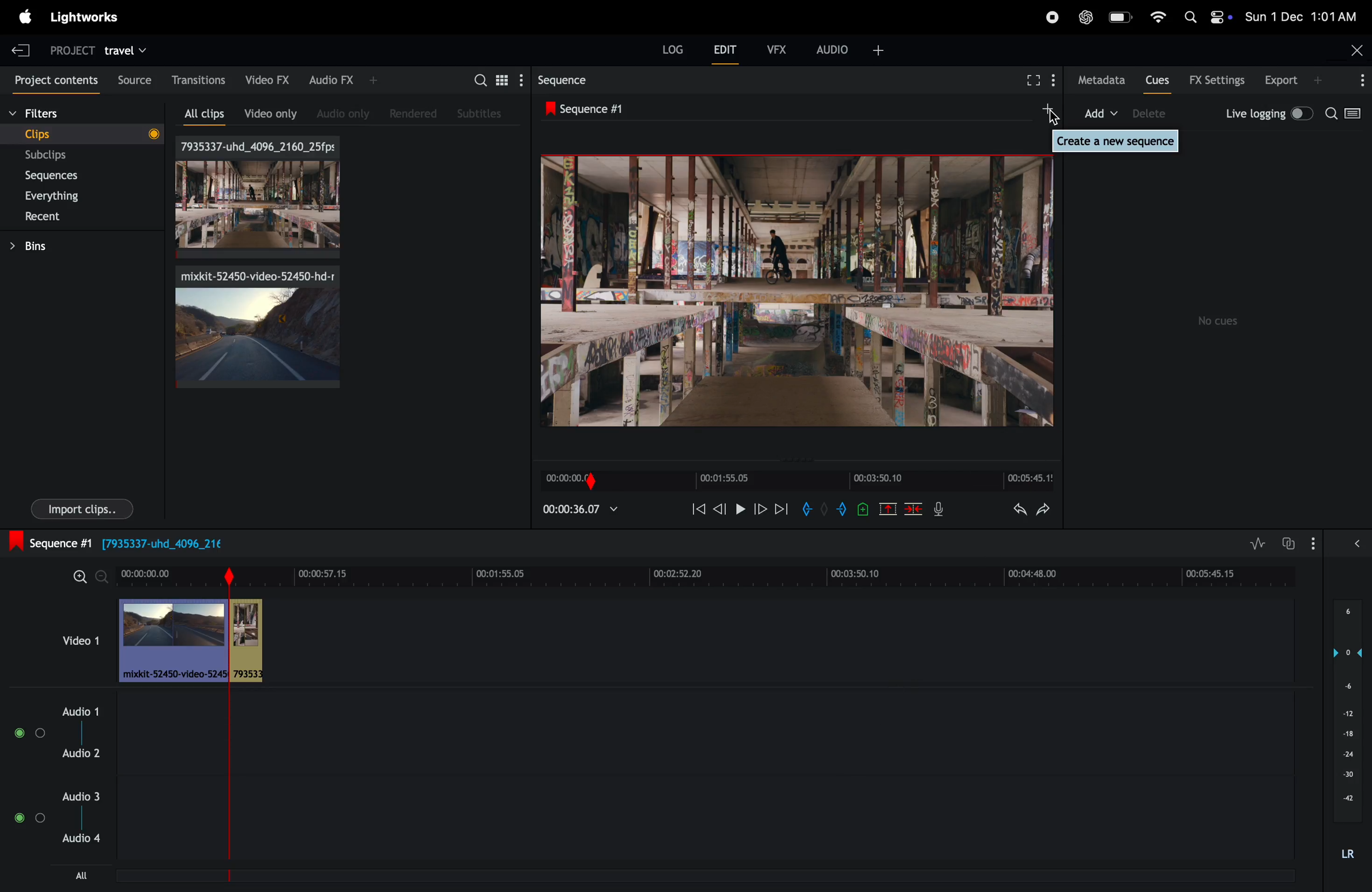  What do you see at coordinates (583, 510) in the screenshot?
I see `playback time` at bounding box center [583, 510].